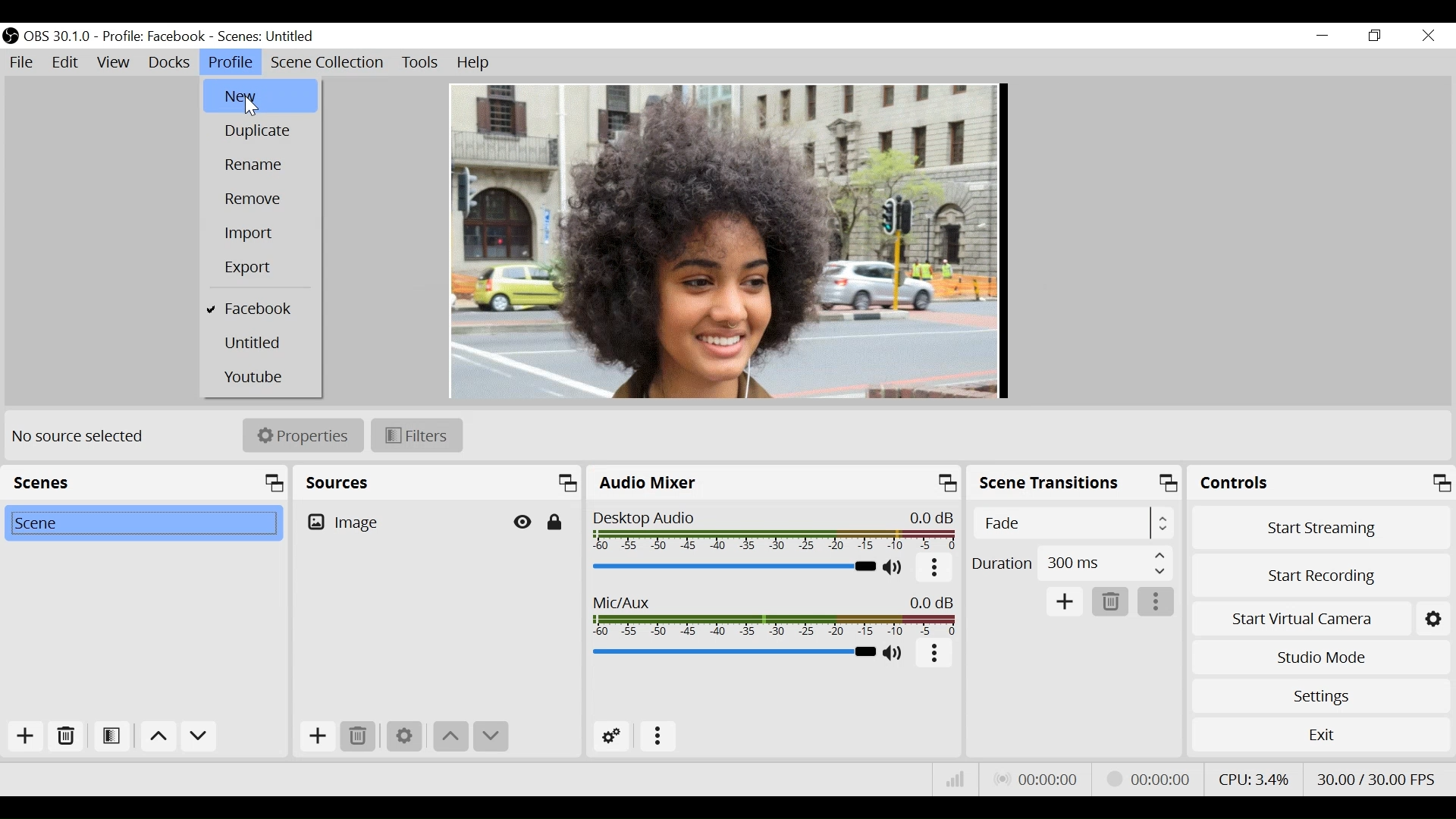  What do you see at coordinates (1319, 617) in the screenshot?
I see `Start Virtual Camera` at bounding box center [1319, 617].